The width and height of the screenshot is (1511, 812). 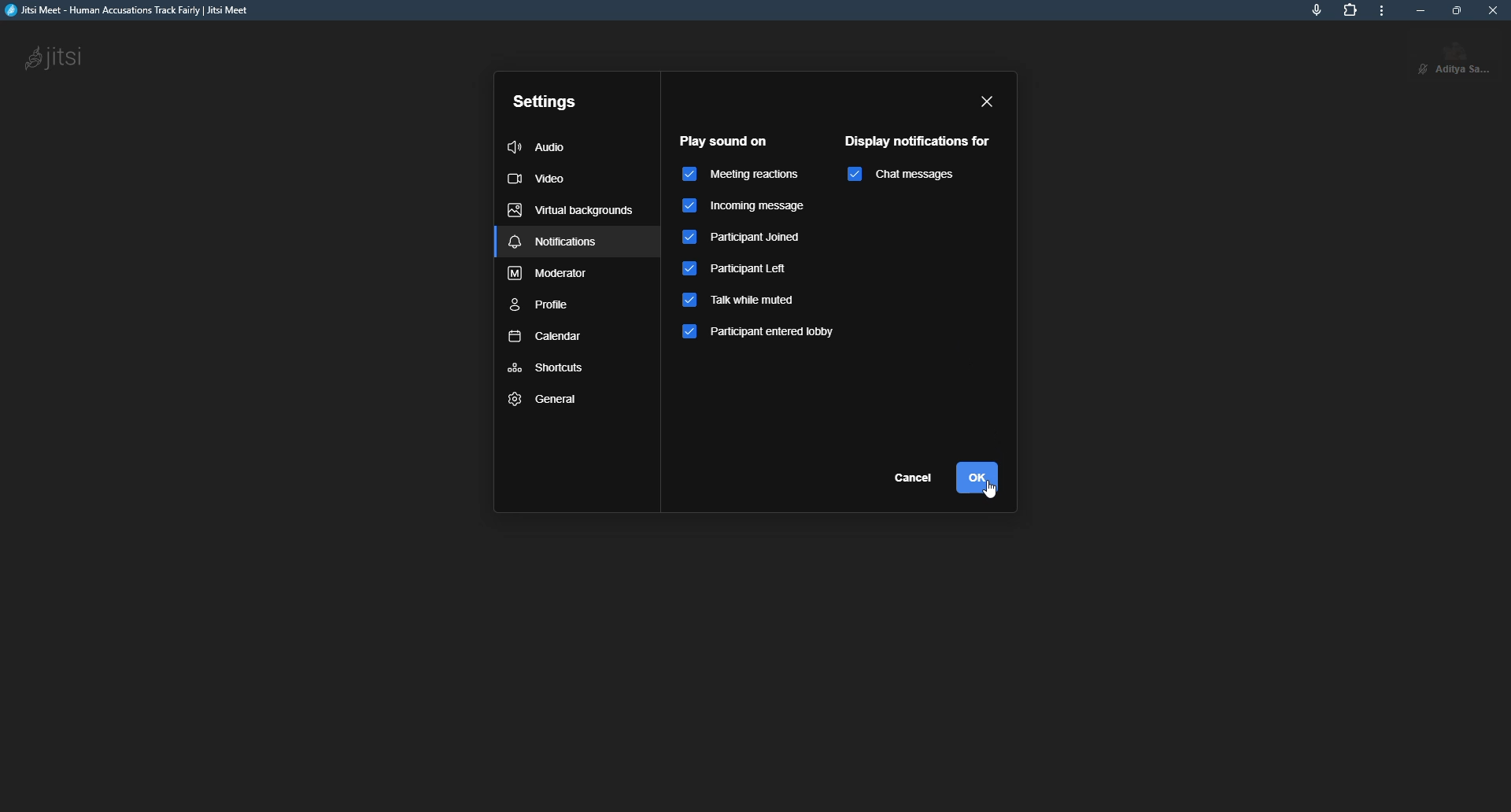 I want to click on display notifications for, so click(x=922, y=139).